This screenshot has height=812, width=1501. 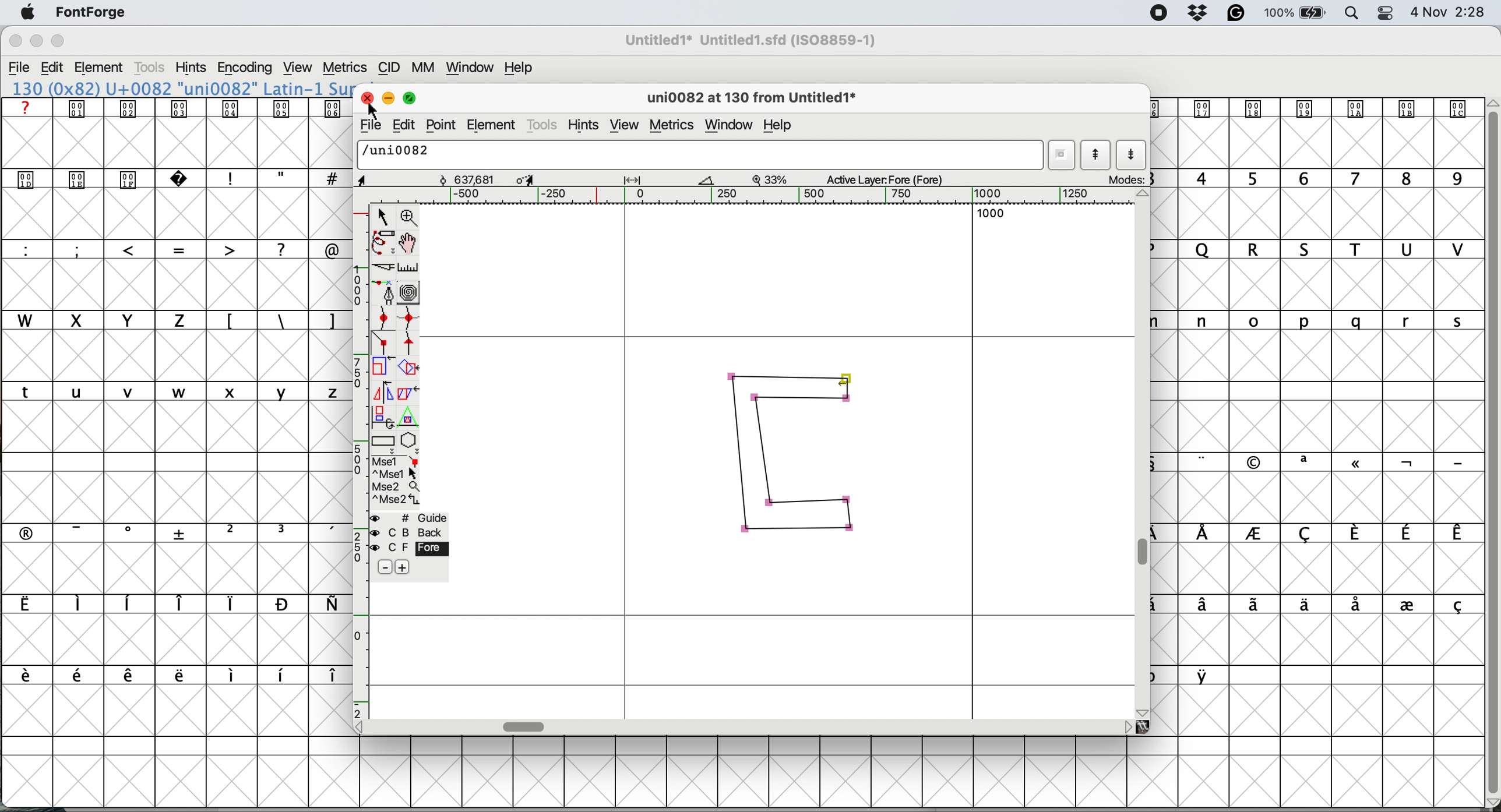 What do you see at coordinates (1294, 13) in the screenshot?
I see `battery` at bounding box center [1294, 13].